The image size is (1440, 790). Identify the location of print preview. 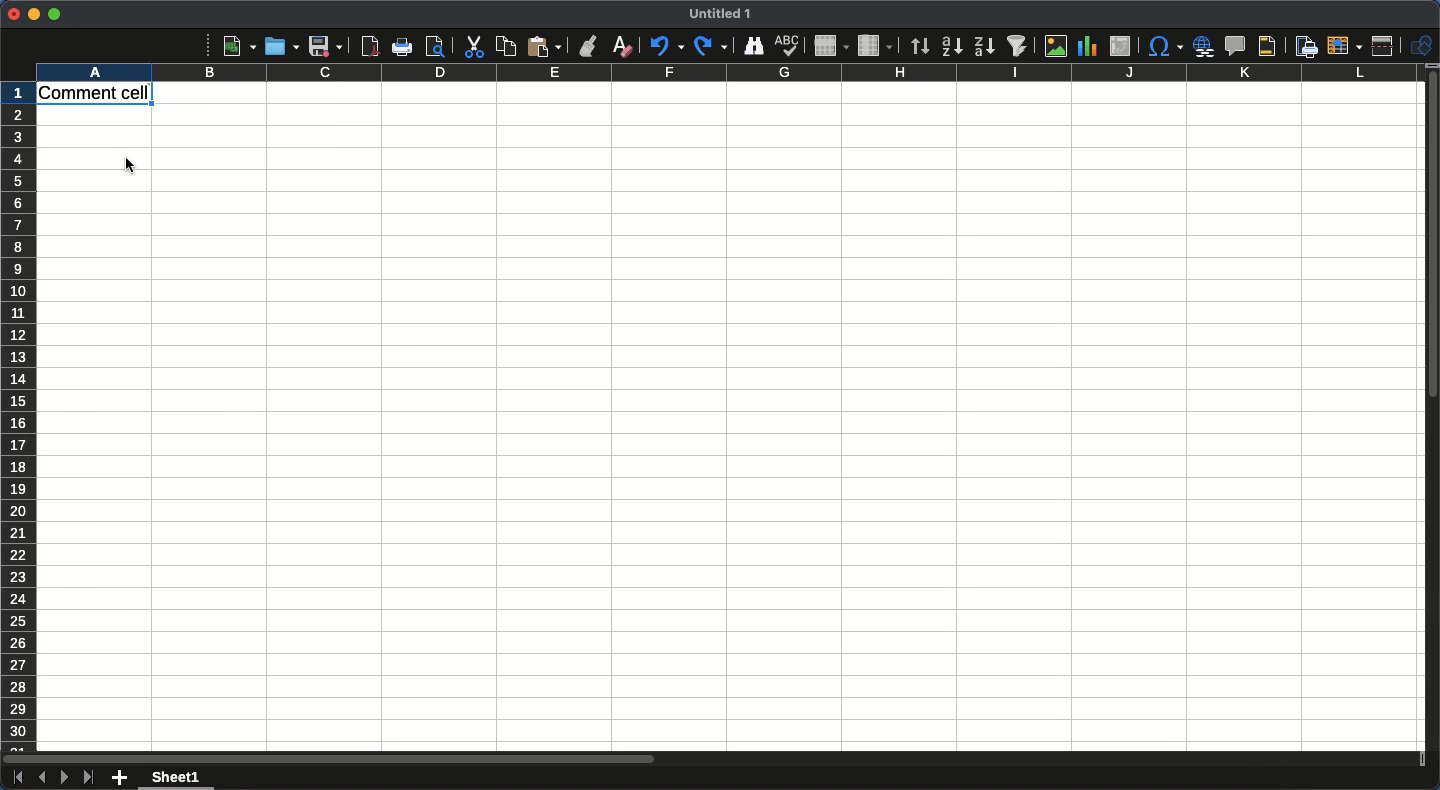
(440, 44).